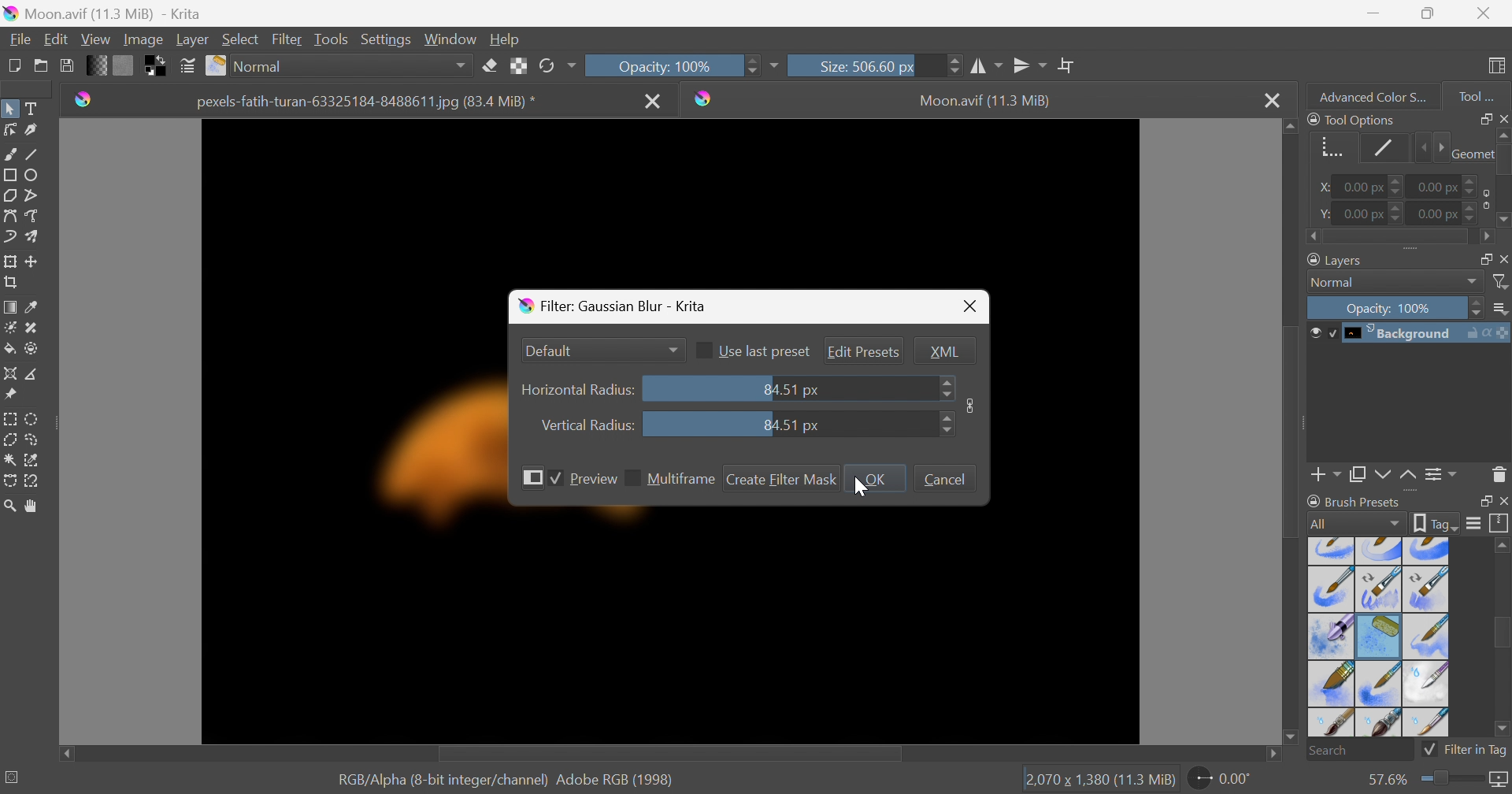  I want to click on No selection, so click(13, 777).